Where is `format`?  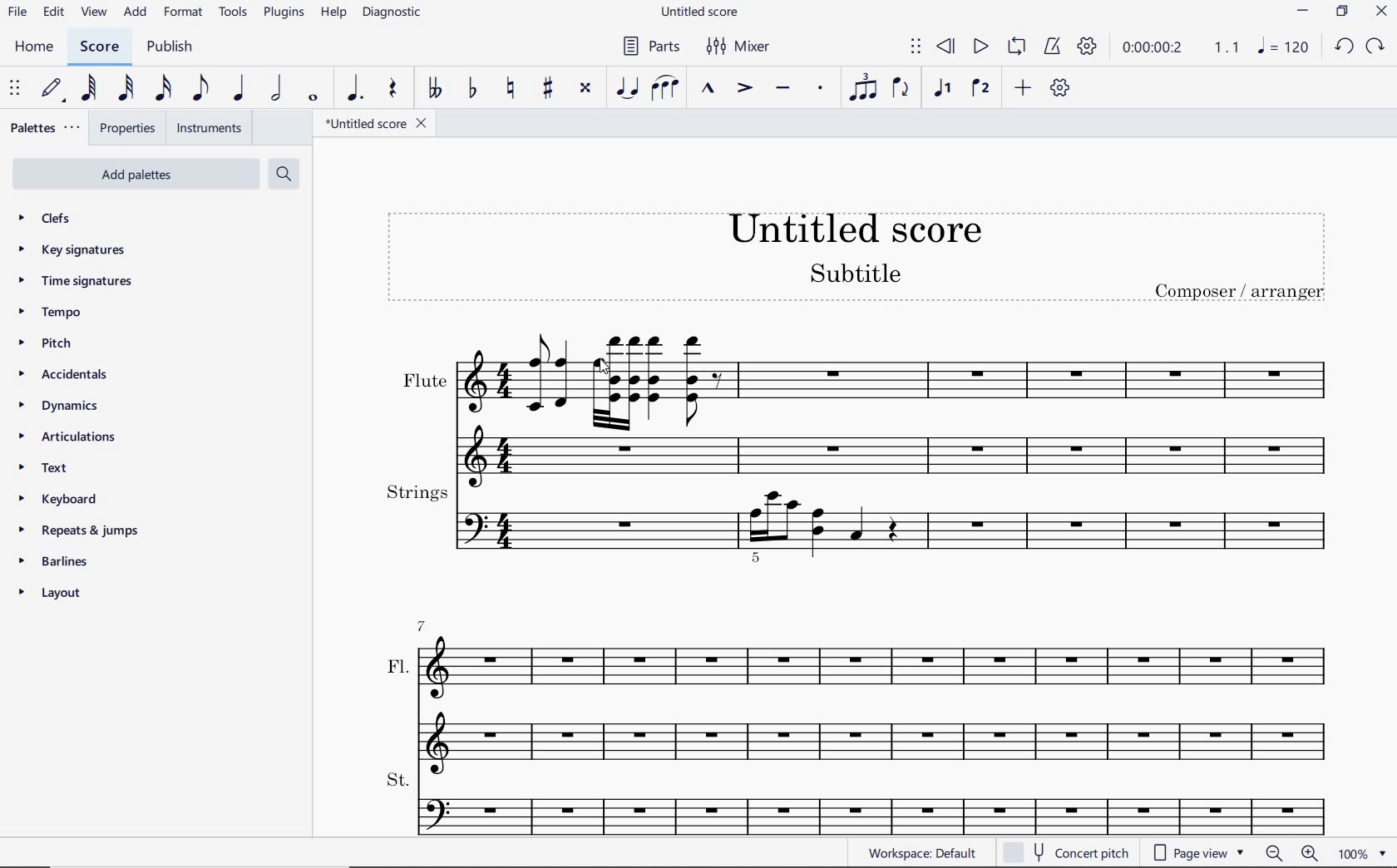
format is located at coordinates (184, 13).